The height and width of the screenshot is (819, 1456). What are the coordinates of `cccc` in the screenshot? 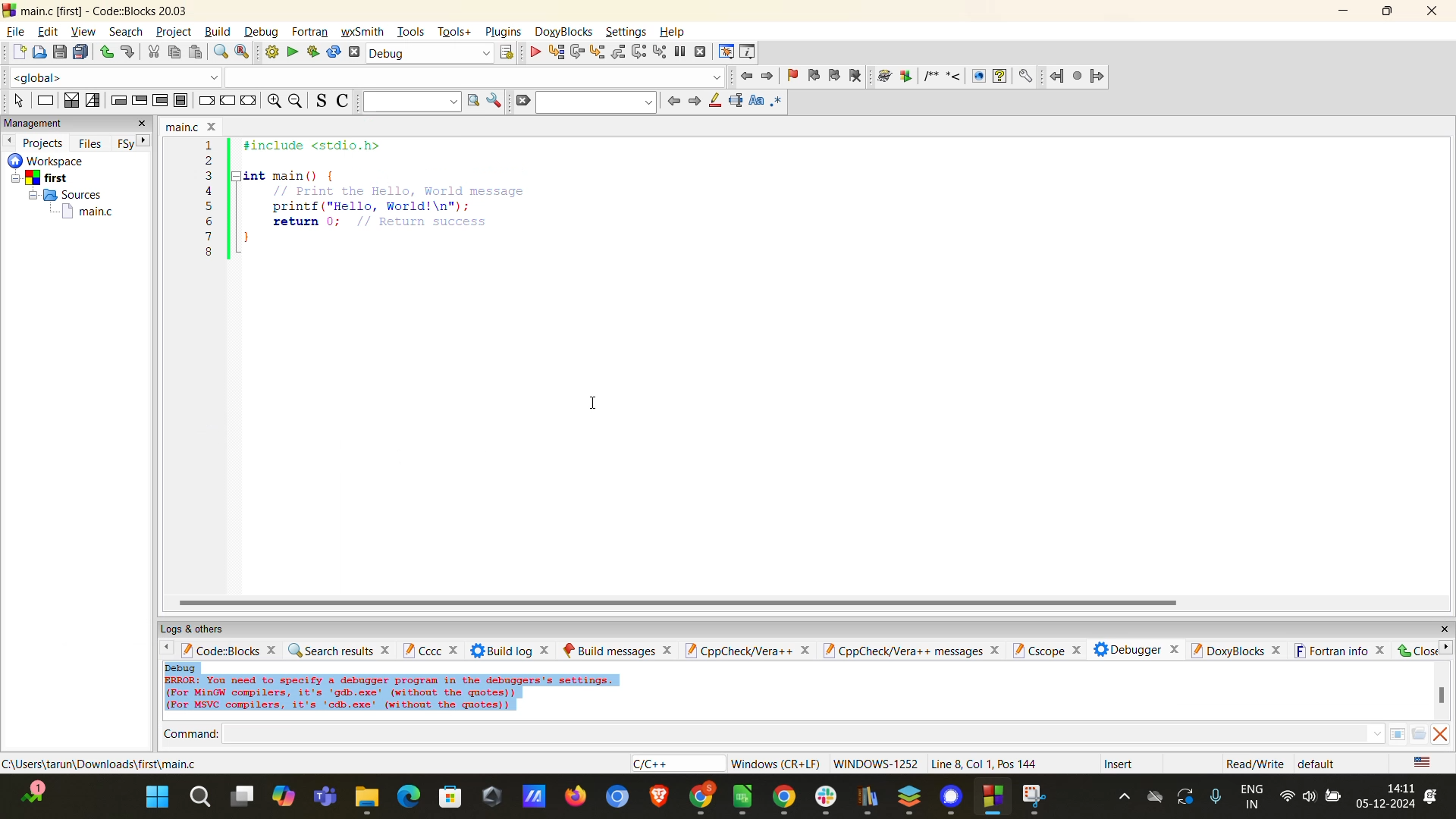 It's located at (431, 650).